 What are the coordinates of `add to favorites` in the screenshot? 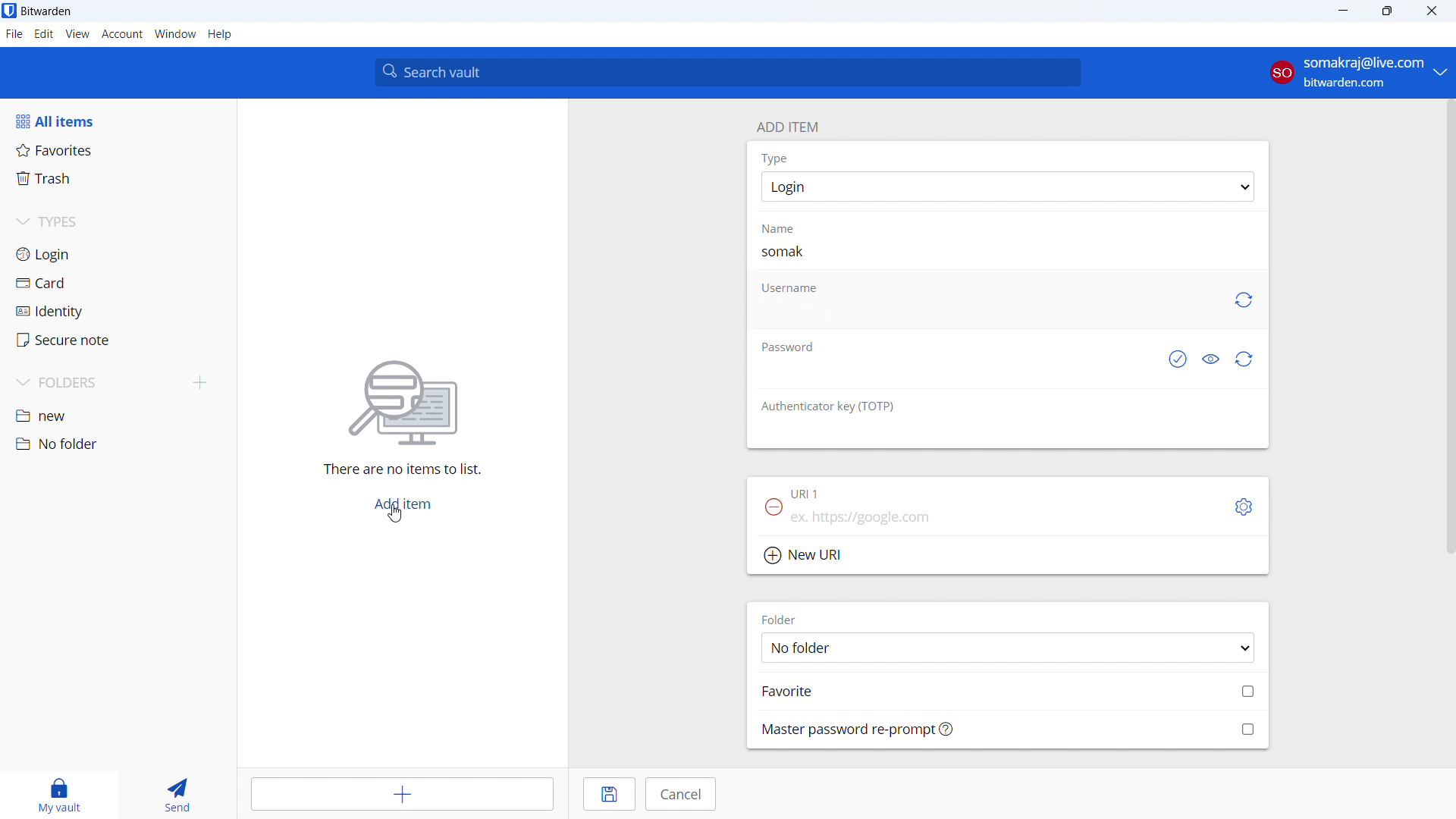 It's located at (1009, 690).